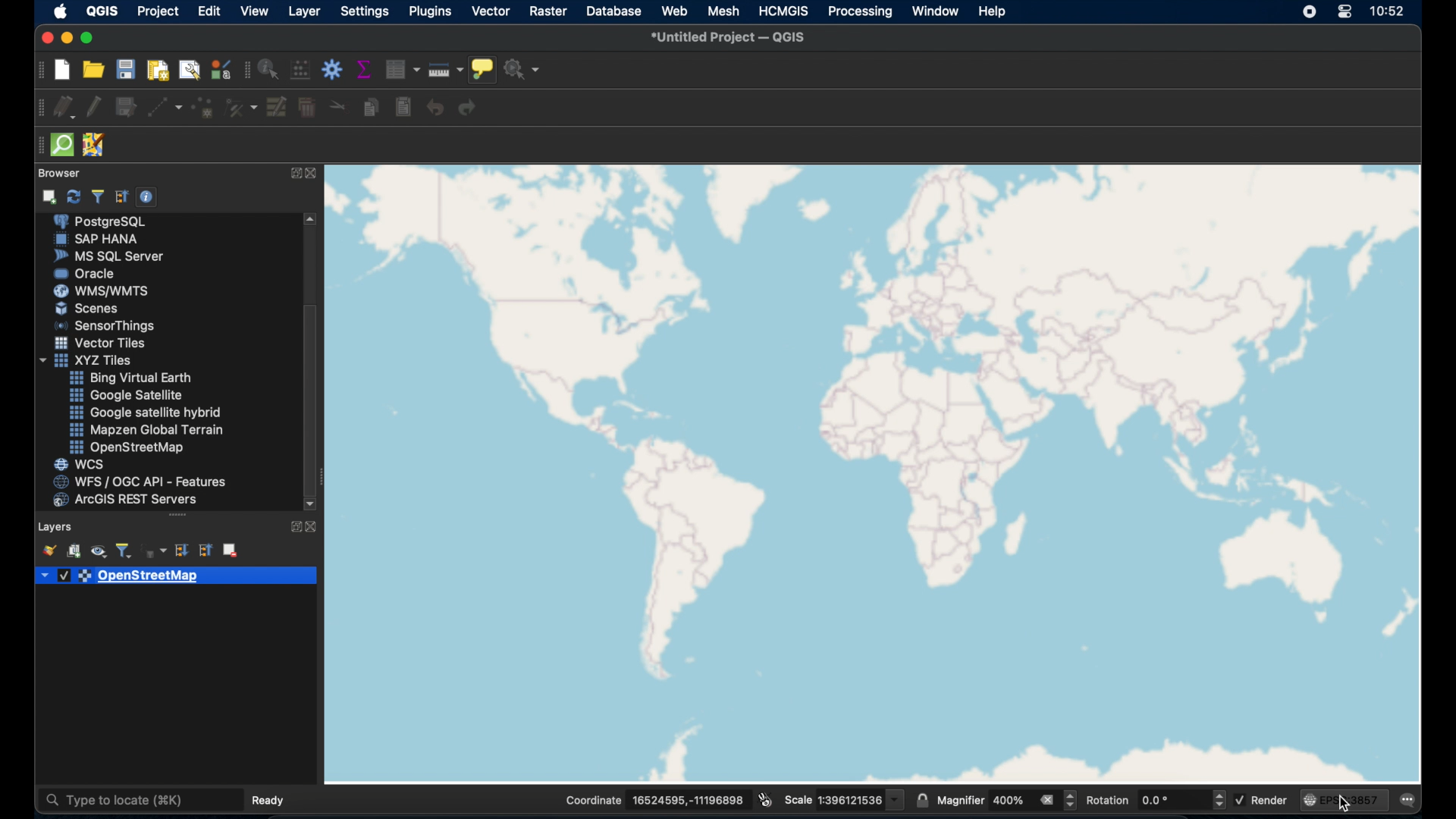  Describe the element at coordinates (140, 482) in the screenshot. I see `wfs/ogc api - features` at that location.